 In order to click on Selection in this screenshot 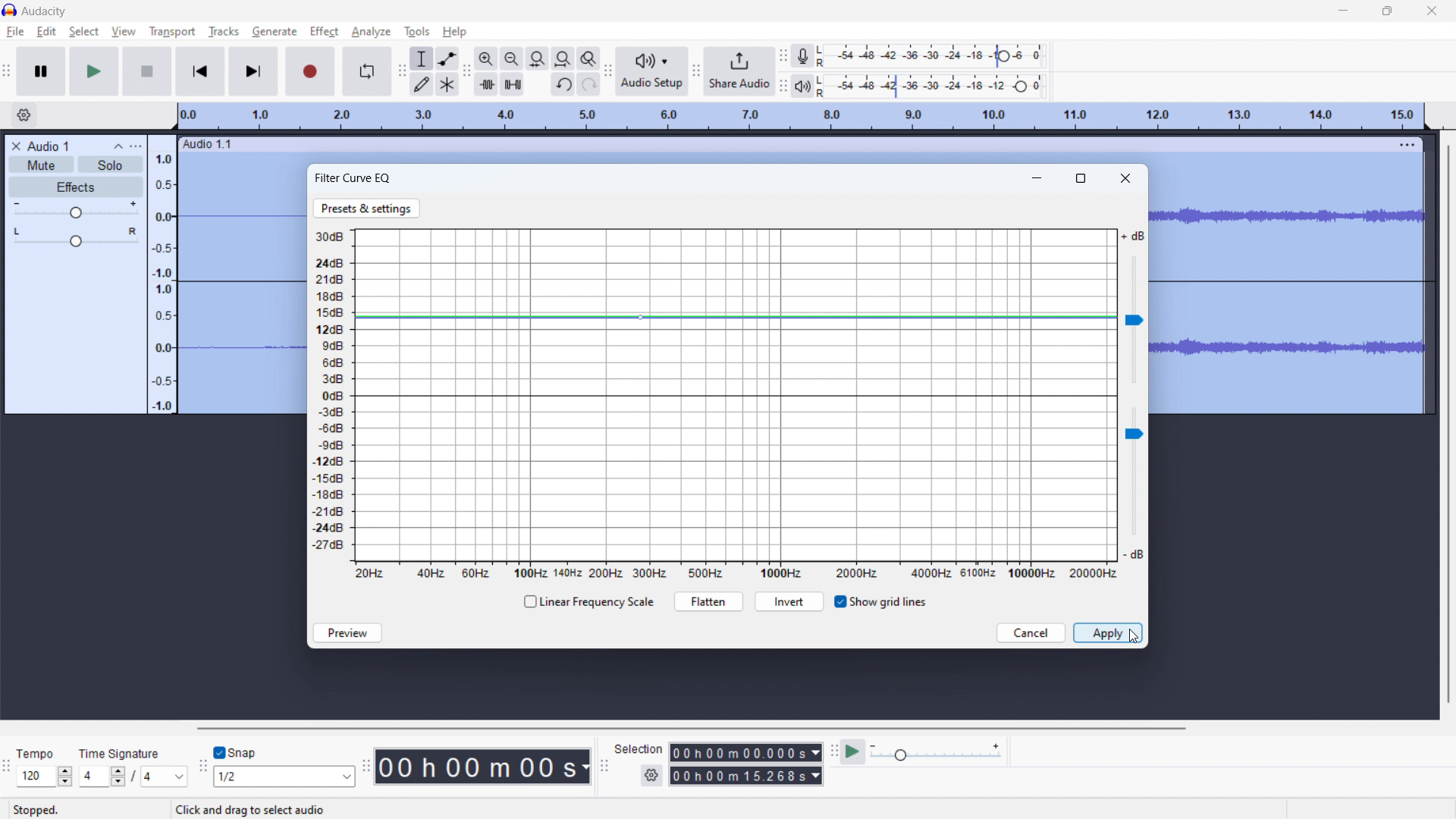, I will do `click(639, 747)`.